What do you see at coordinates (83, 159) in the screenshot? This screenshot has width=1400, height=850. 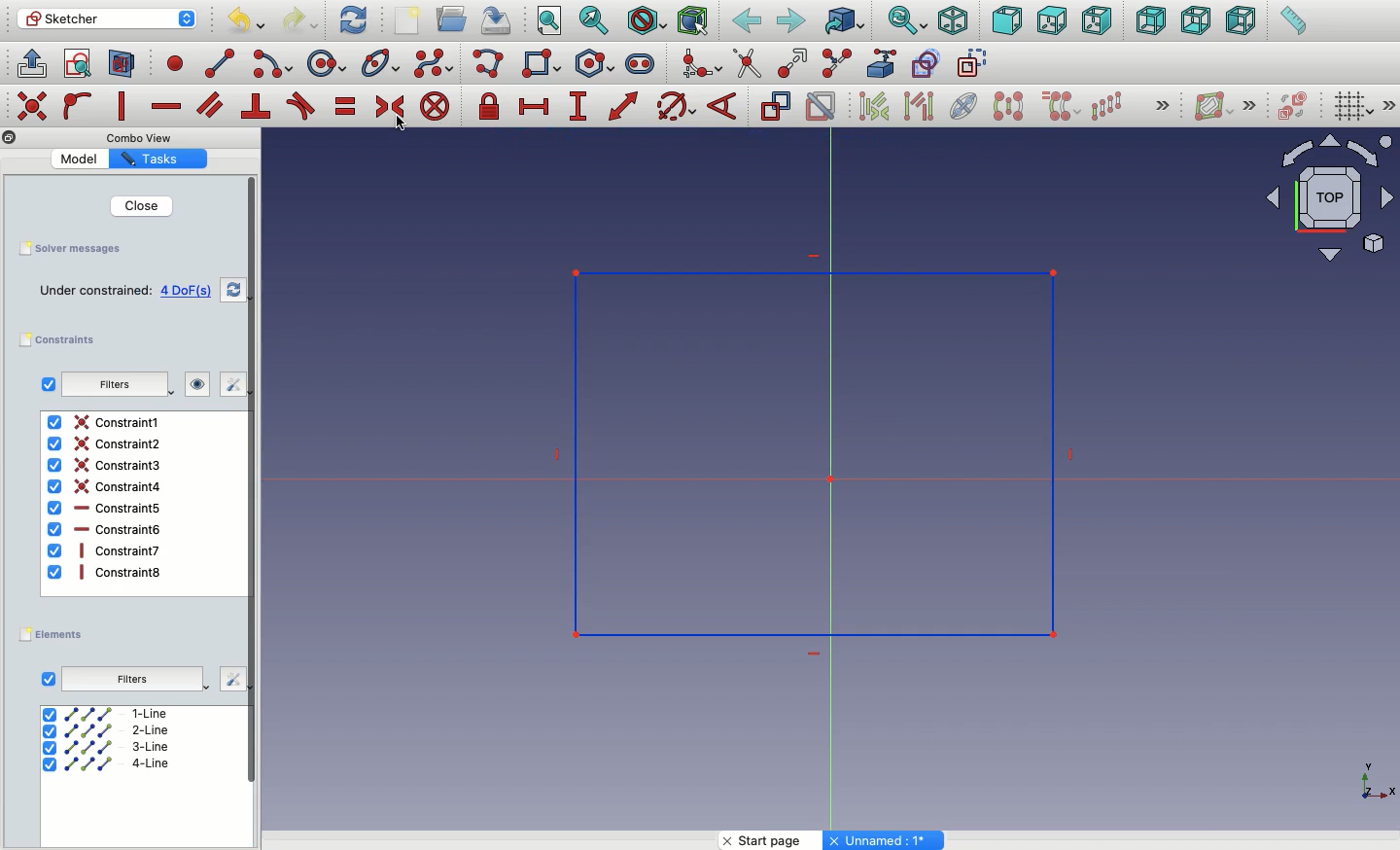 I see `Model` at bounding box center [83, 159].